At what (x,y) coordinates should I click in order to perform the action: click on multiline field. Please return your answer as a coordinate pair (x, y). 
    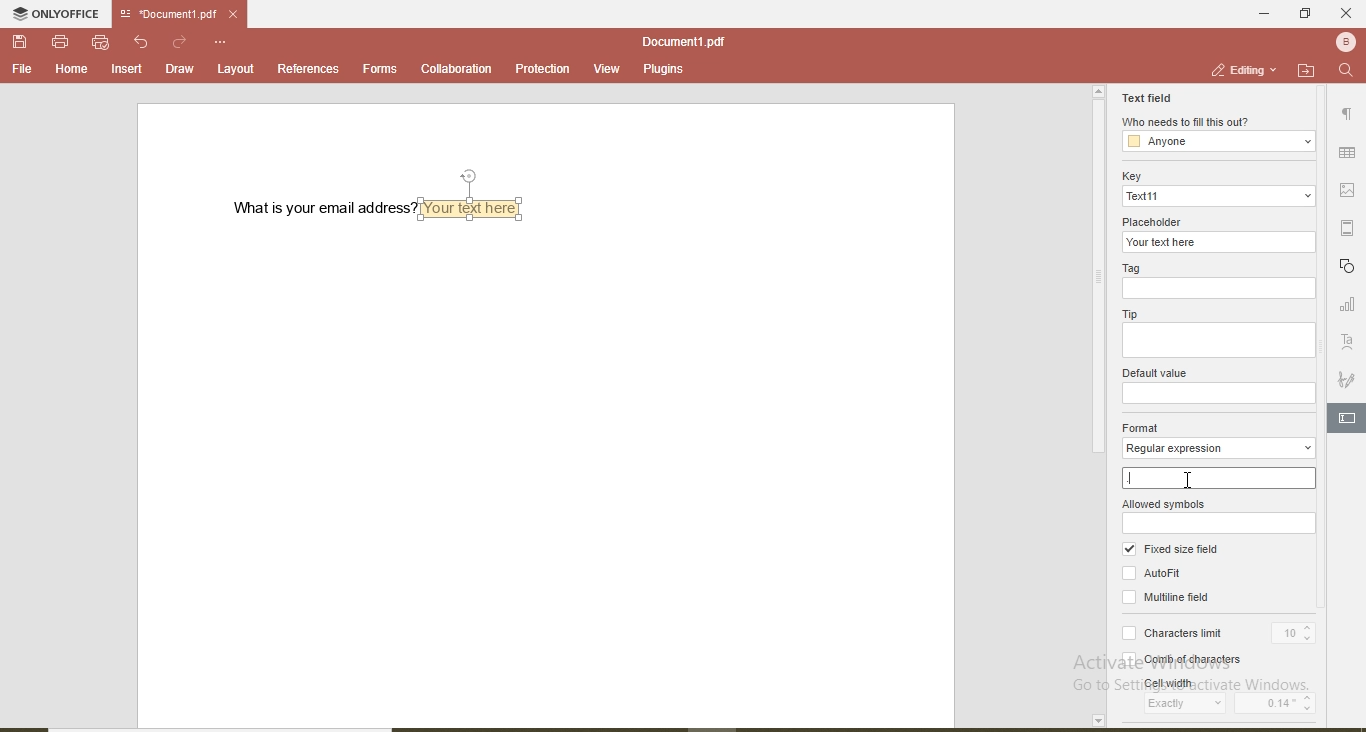
    Looking at the image, I should click on (1171, 599).